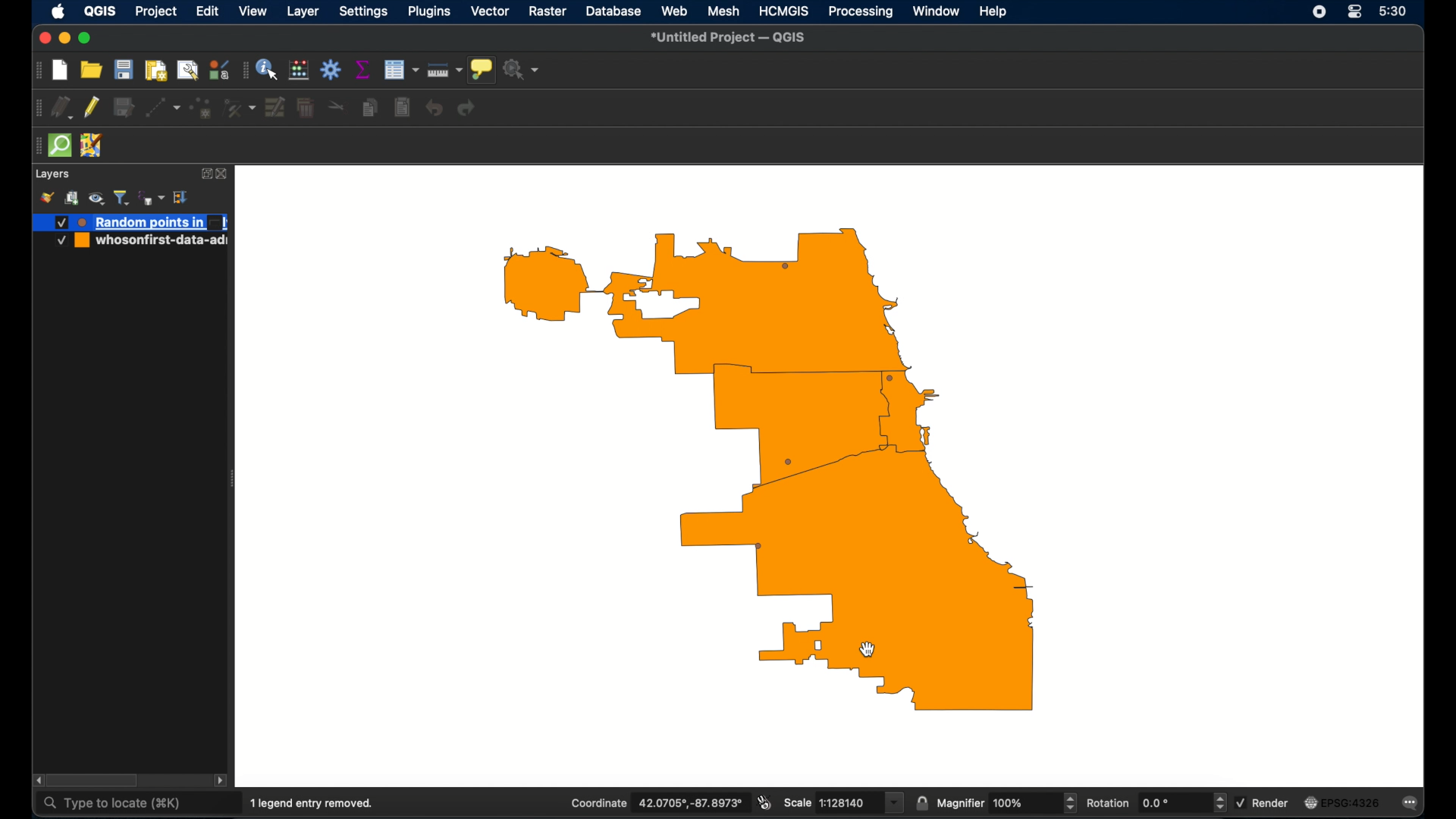 The height and width of the screenshot is (819, 1456). Describe the element at coordinates (200, 107) in the screenshot. I see `polygon feature` at that location.